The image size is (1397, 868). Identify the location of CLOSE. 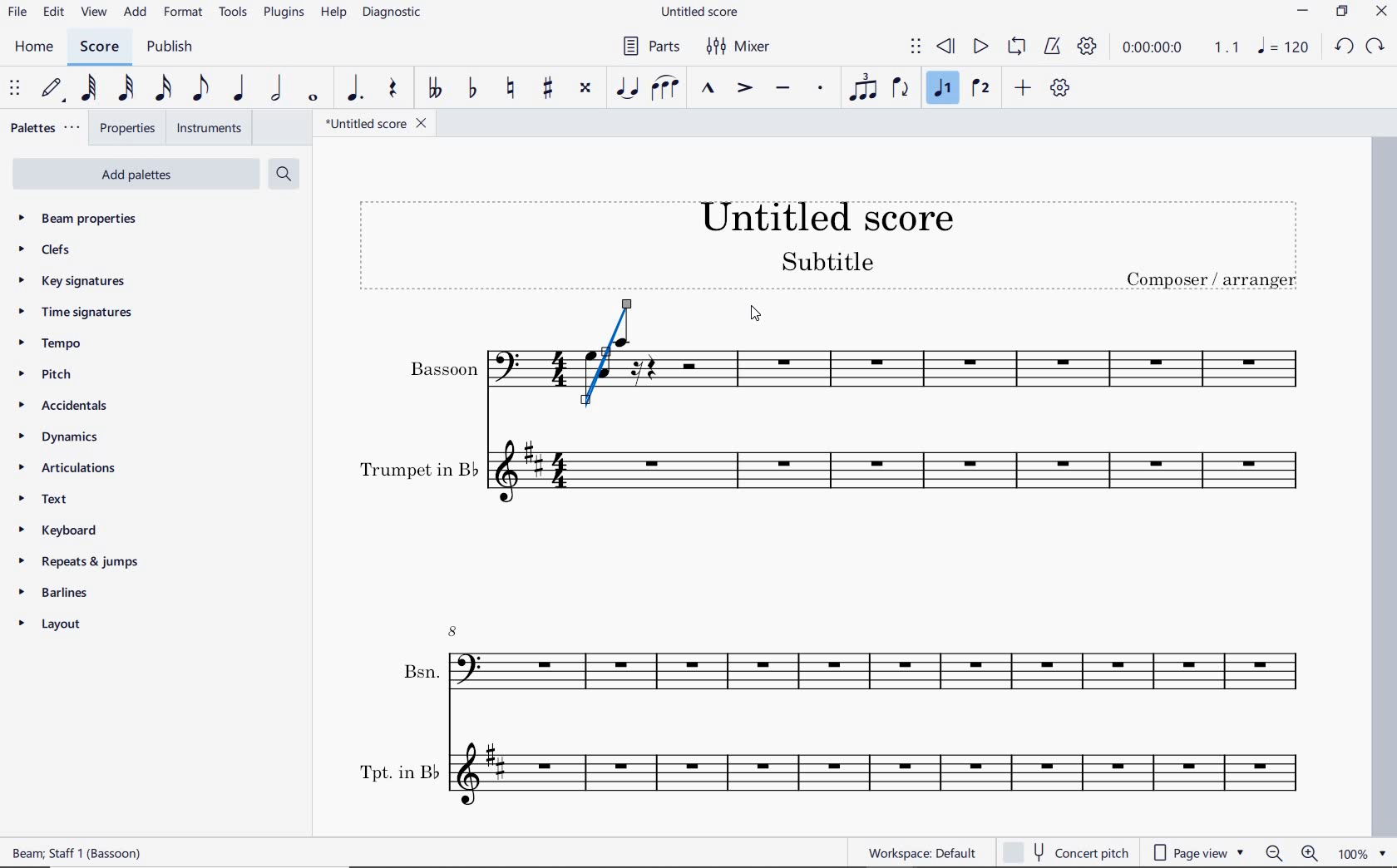
(1382, 13).